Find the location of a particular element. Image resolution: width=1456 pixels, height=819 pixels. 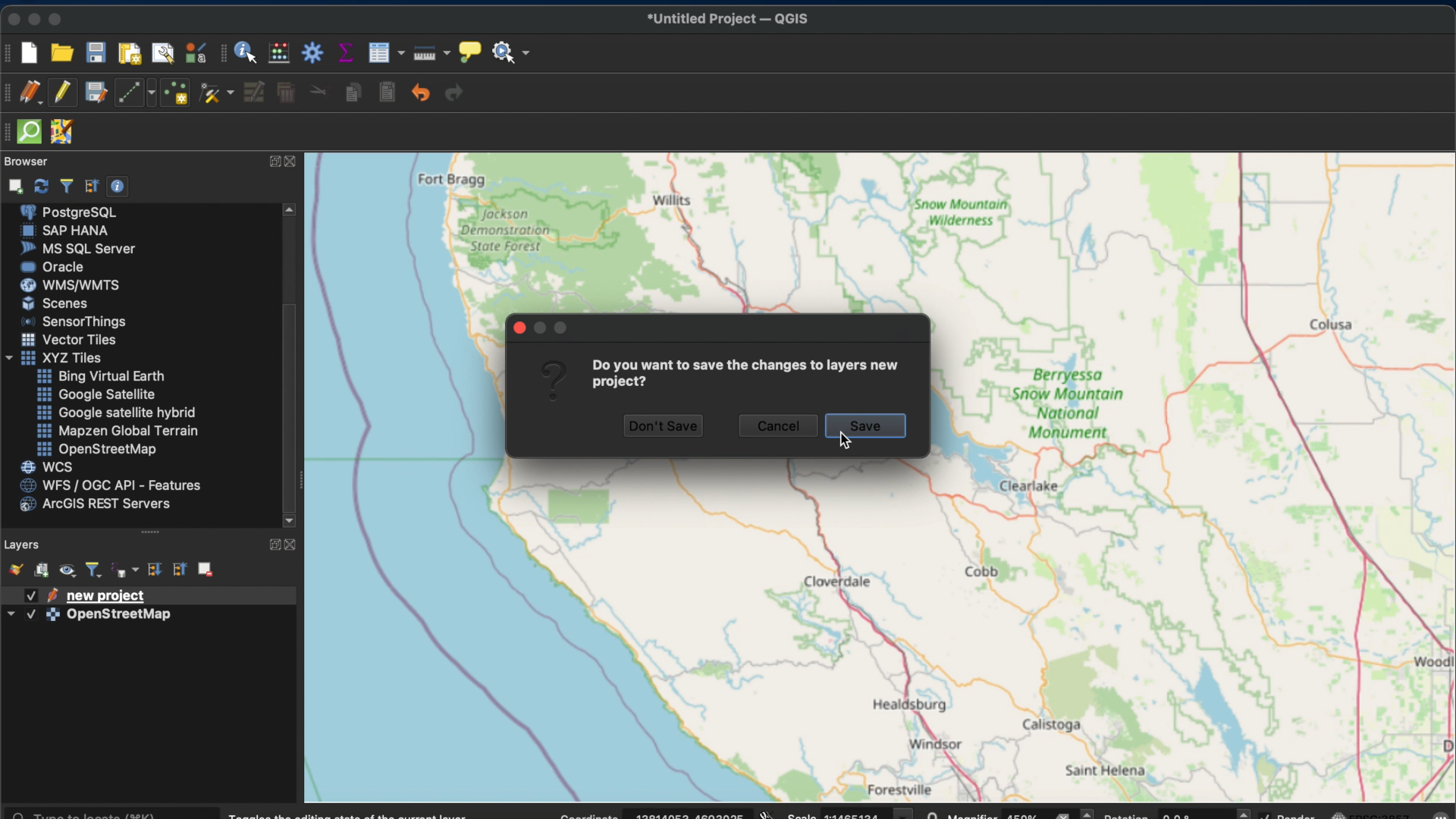

style manager is located at coordinates (193, 52).